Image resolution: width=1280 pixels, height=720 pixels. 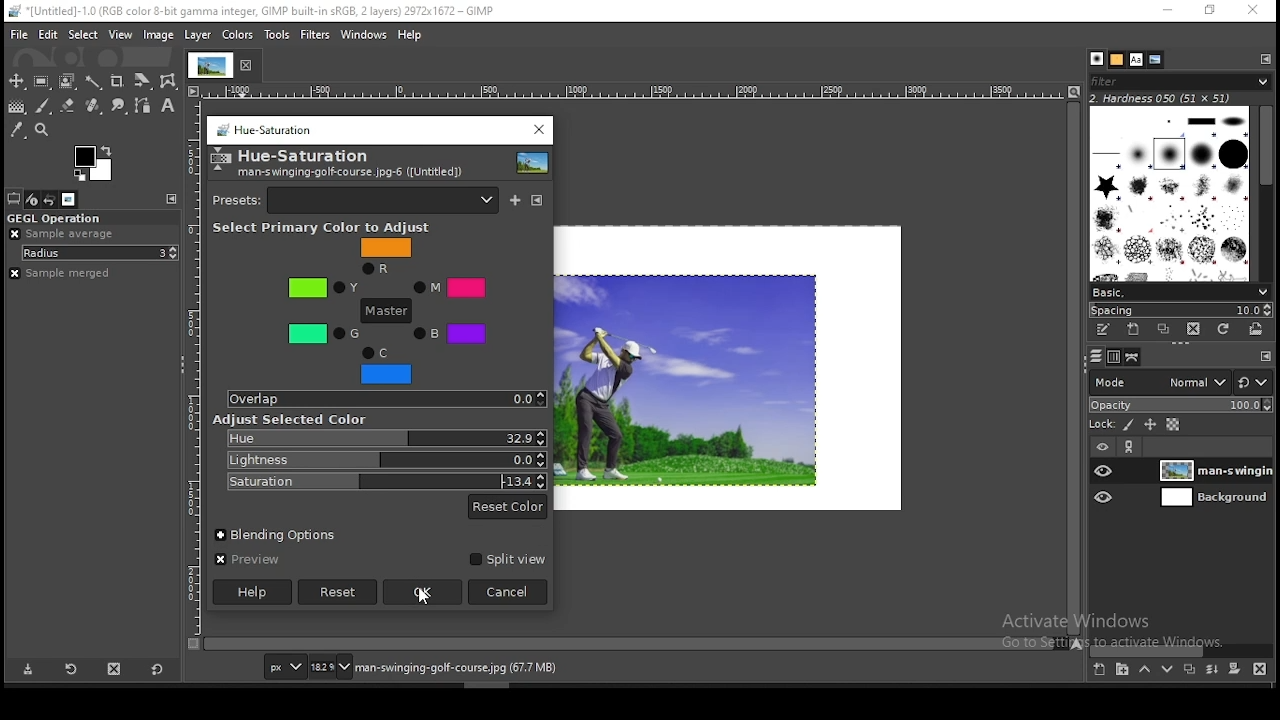 I want to click on layer , so click(x=1215, y=472).